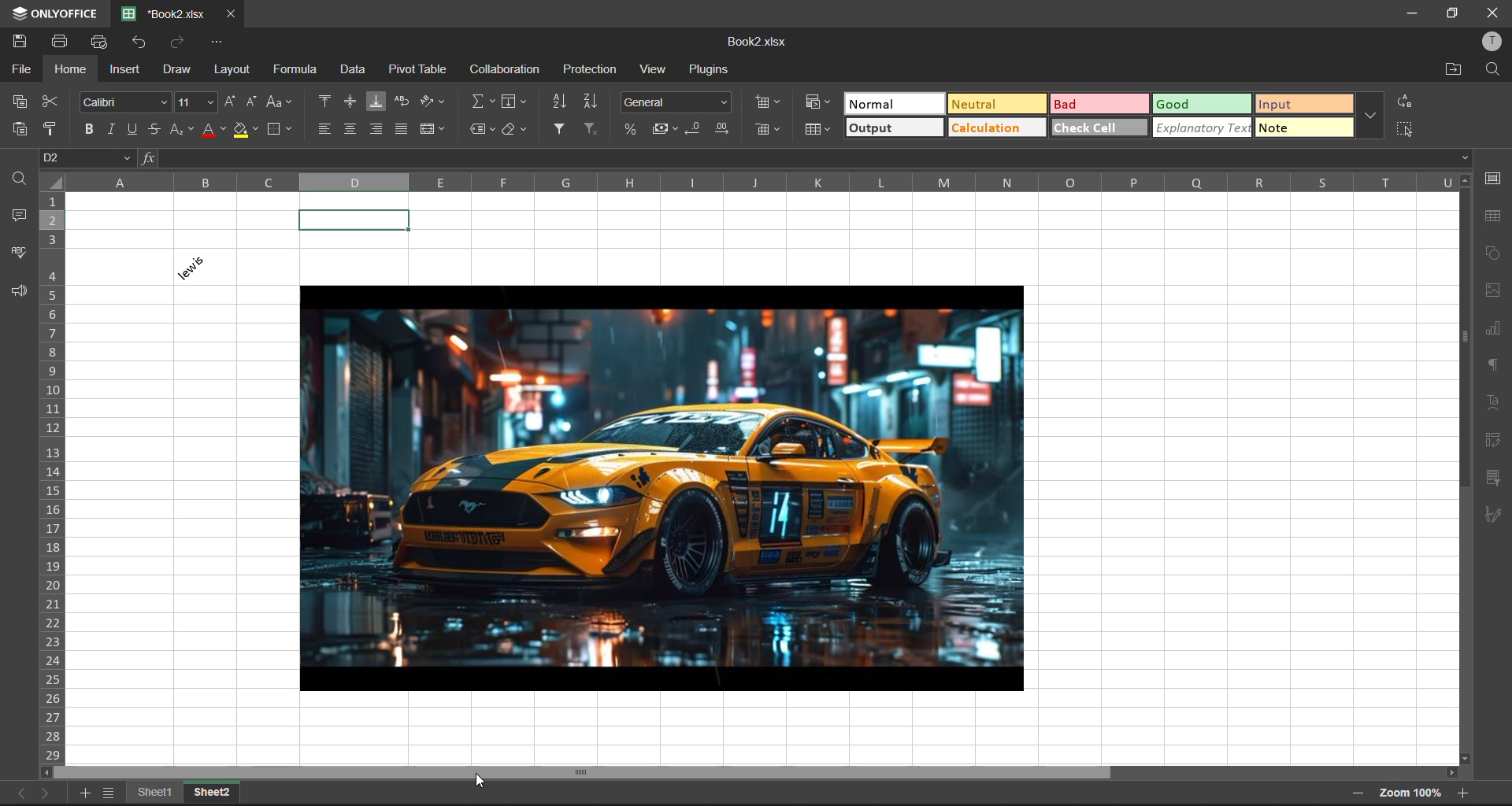  What do you see at coordinates (561, 128) in the screenshot?
I see `filter` at bounding box center [561, 128].